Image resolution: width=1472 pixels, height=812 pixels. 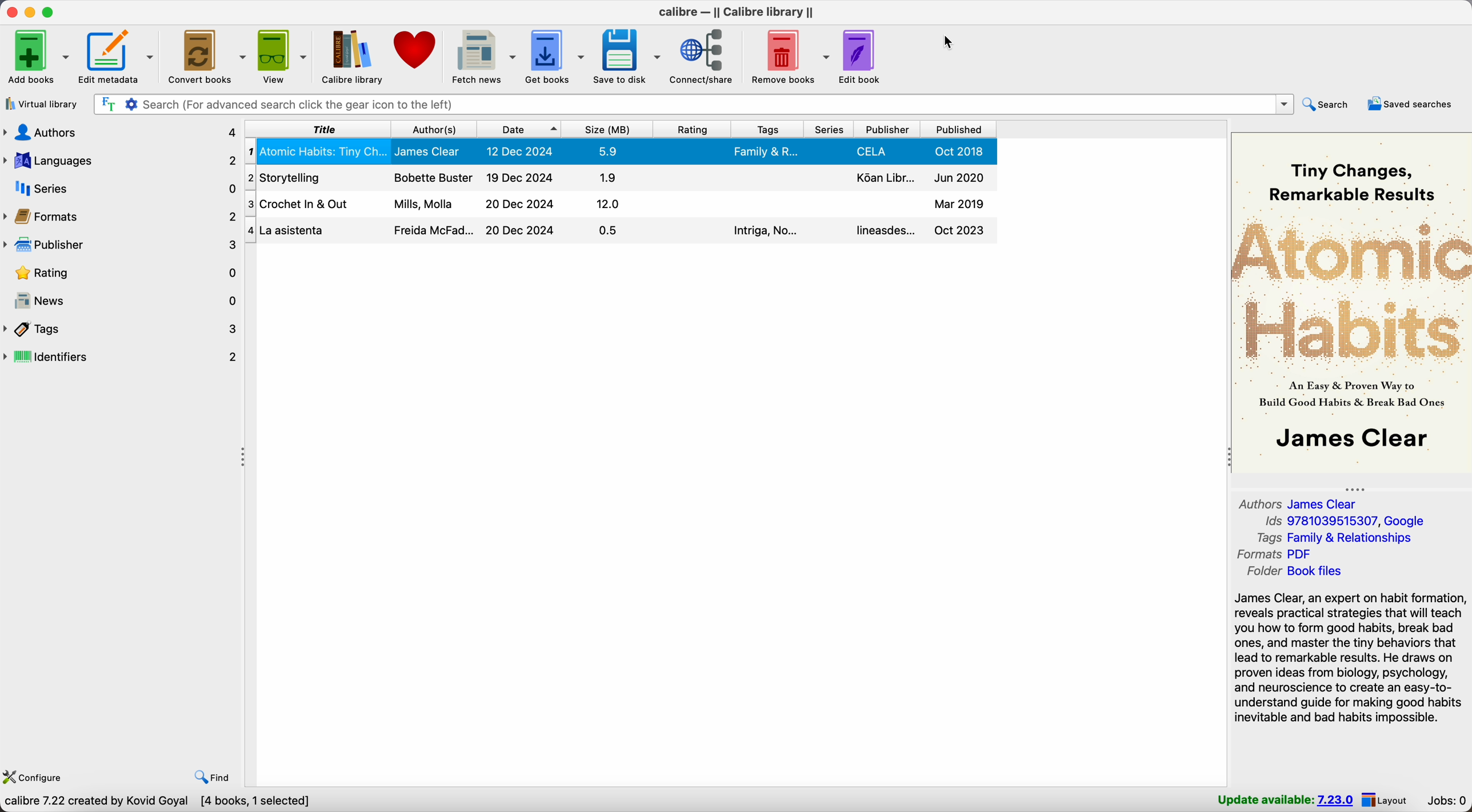 What do you see at coordinates (789, 57) in the screenshot?
I see `remove books` at bounding box center [789, 57].